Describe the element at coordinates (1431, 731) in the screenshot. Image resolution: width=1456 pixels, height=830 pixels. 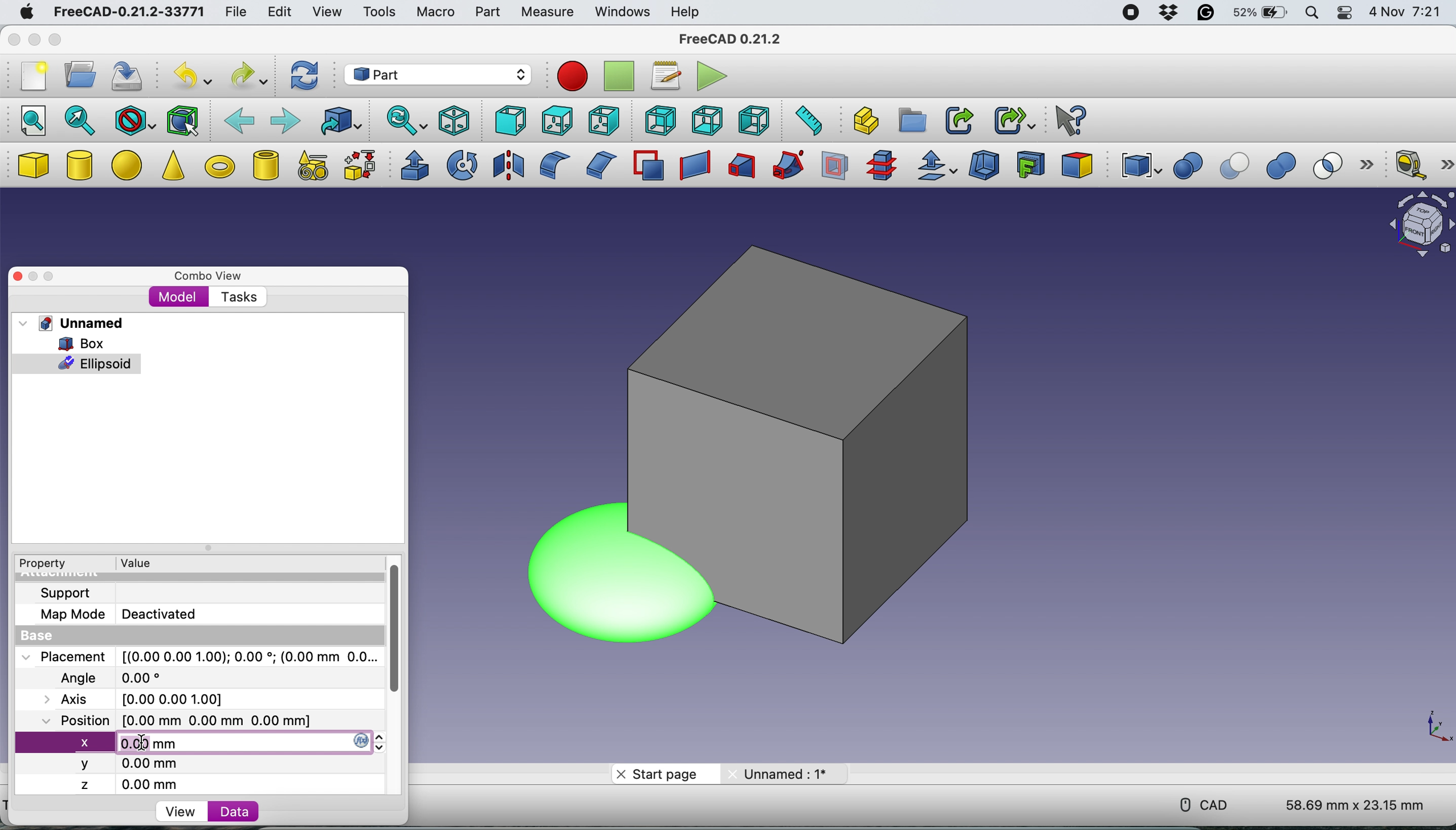
I see `xy coordinate` at that location.